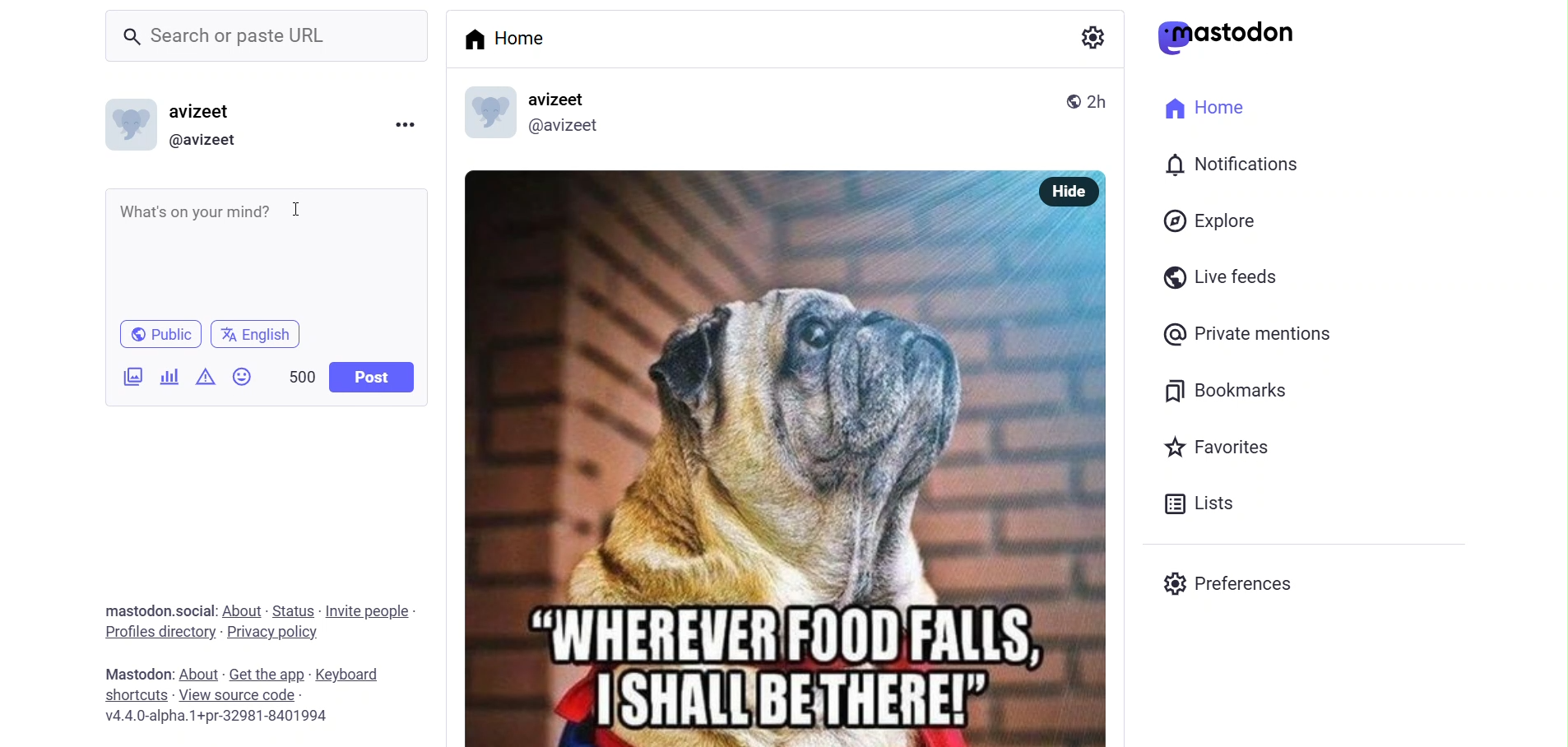 The width and height of the screenshot is (1568, 747). I want to click on invite people, so click(369, 610).